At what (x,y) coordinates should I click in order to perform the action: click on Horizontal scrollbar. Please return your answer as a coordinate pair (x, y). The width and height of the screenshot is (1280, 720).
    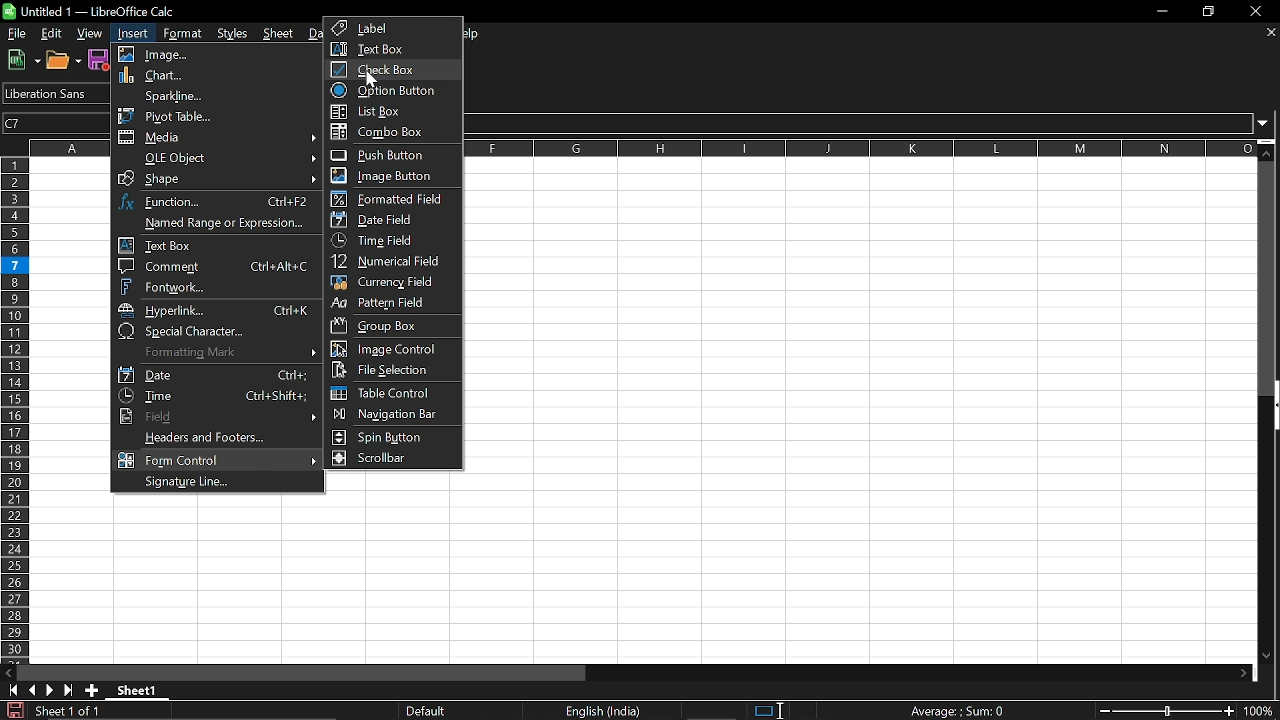
    Looking at the image, I should click on (302, 672).